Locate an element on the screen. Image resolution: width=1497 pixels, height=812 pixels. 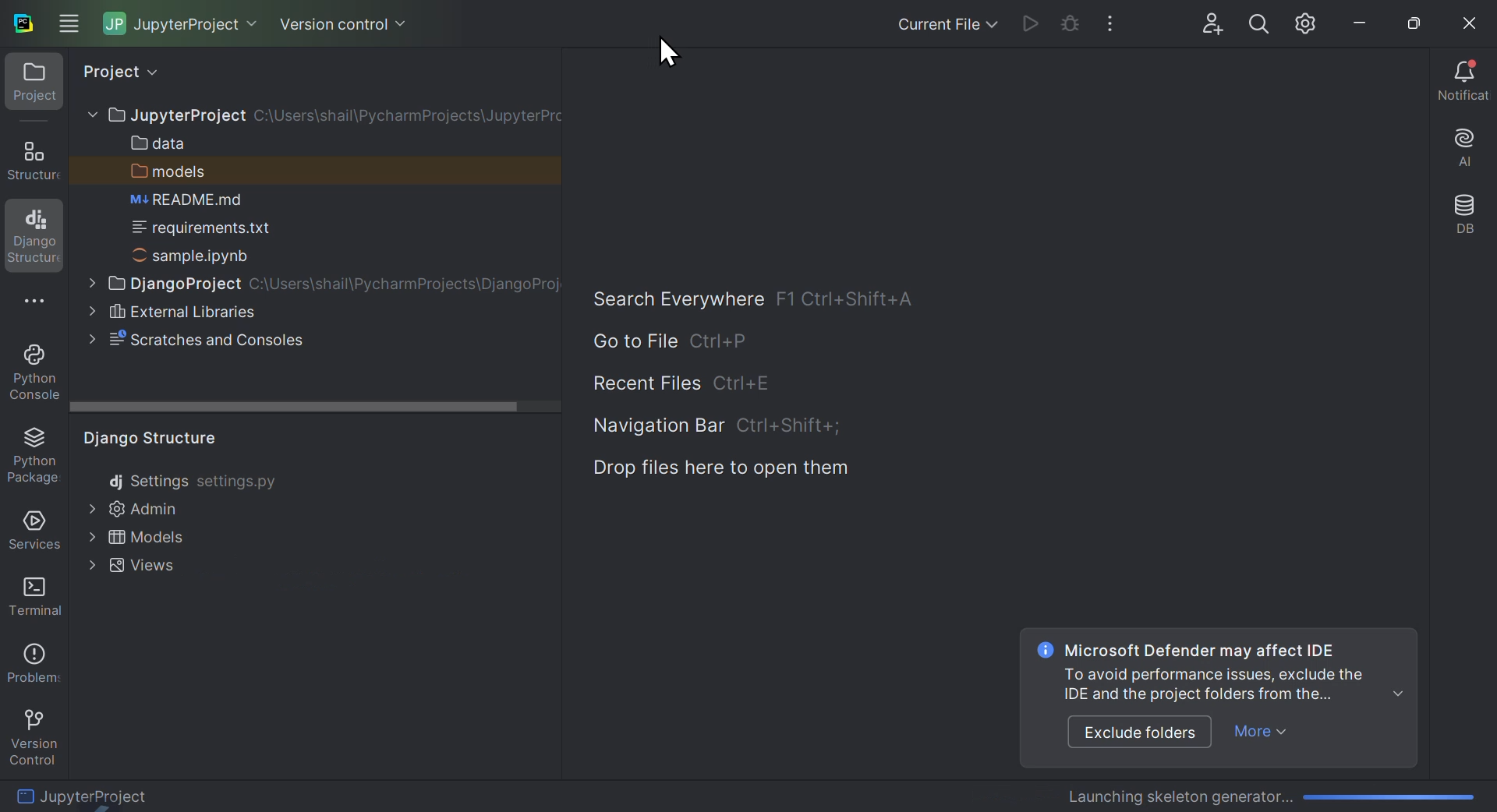
AI assistant is located at coordinates (1460, 150).